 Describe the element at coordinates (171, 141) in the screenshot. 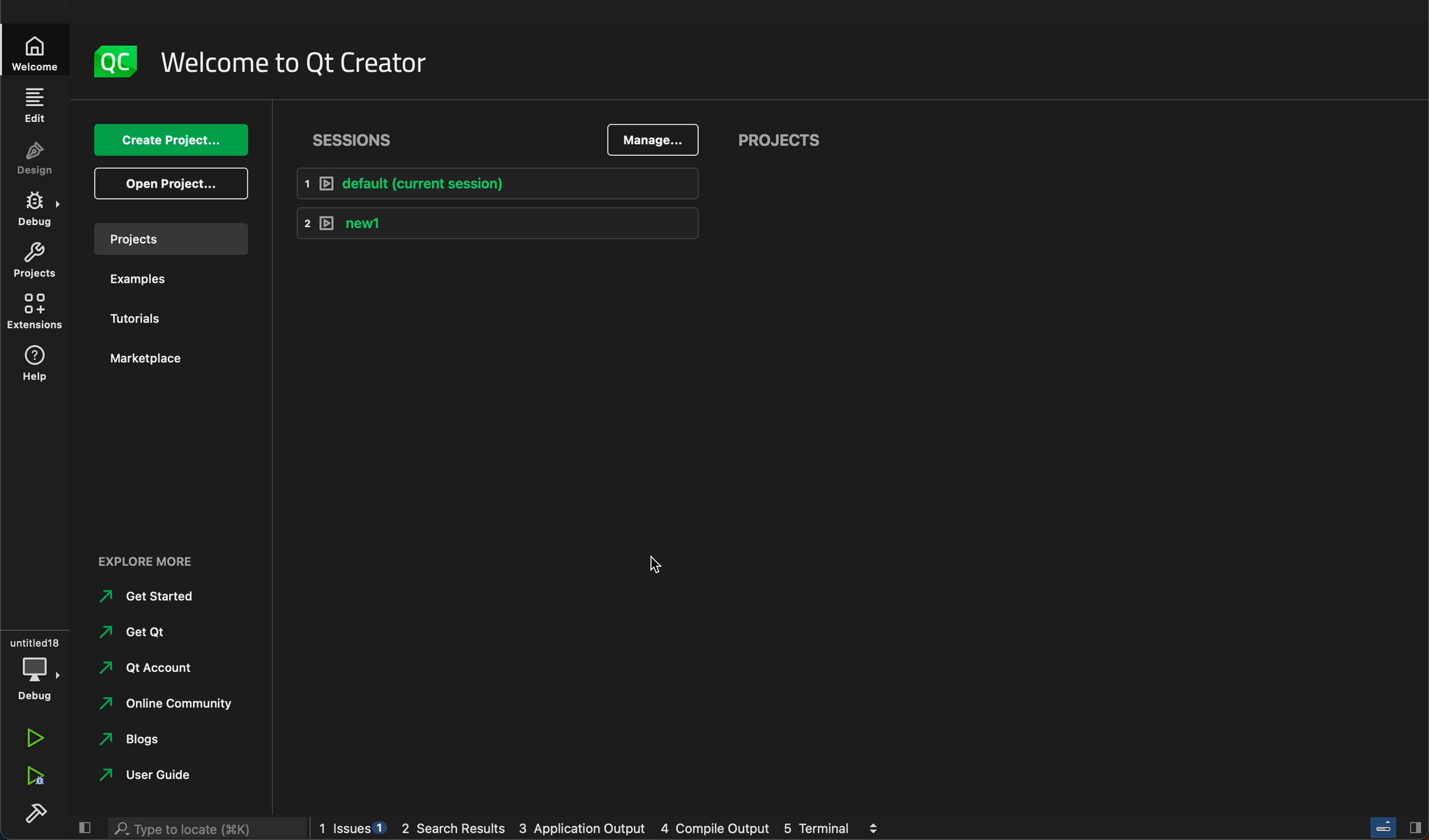

I see `create project` at that location.